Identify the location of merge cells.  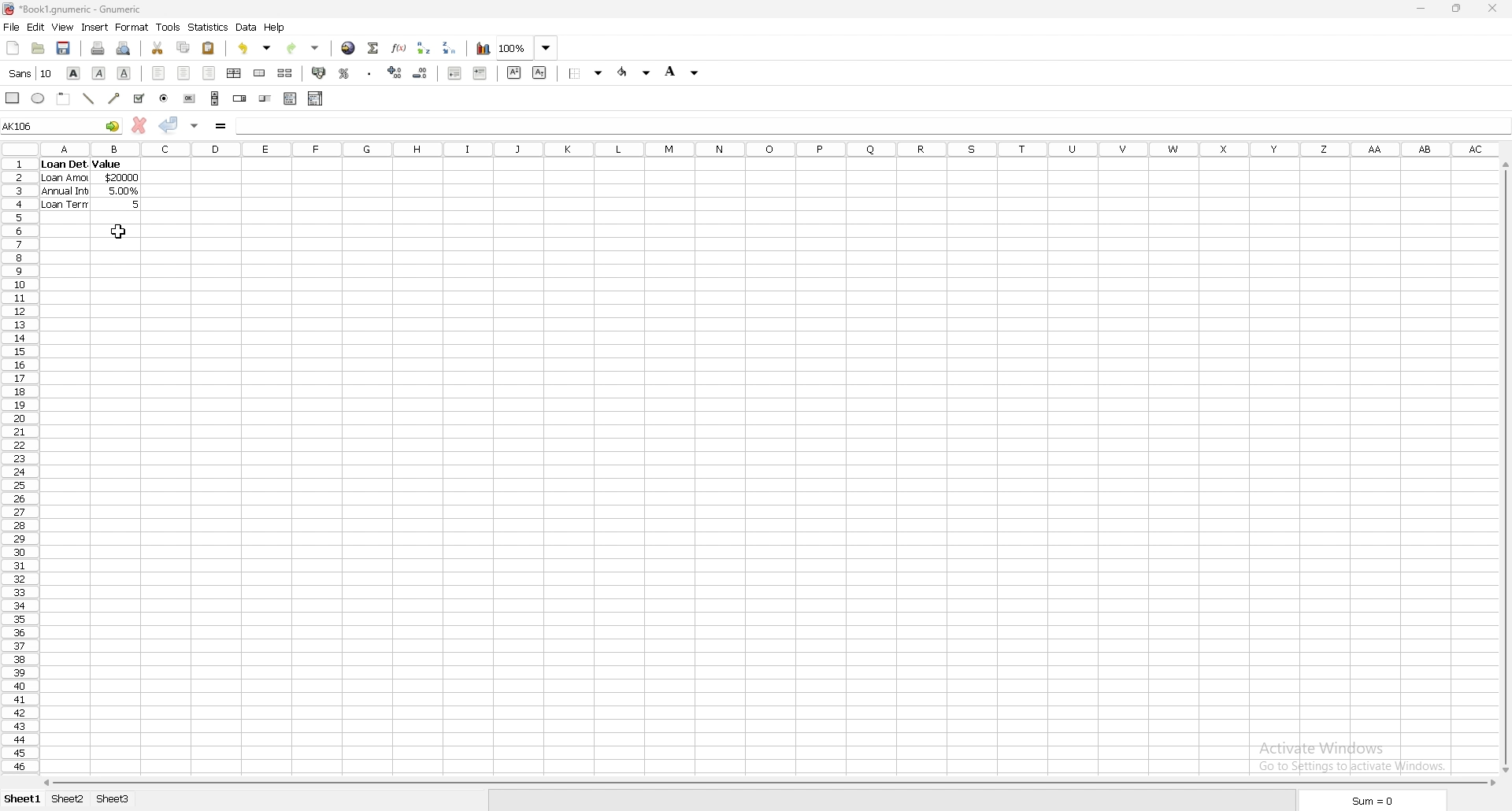
(259, 72).